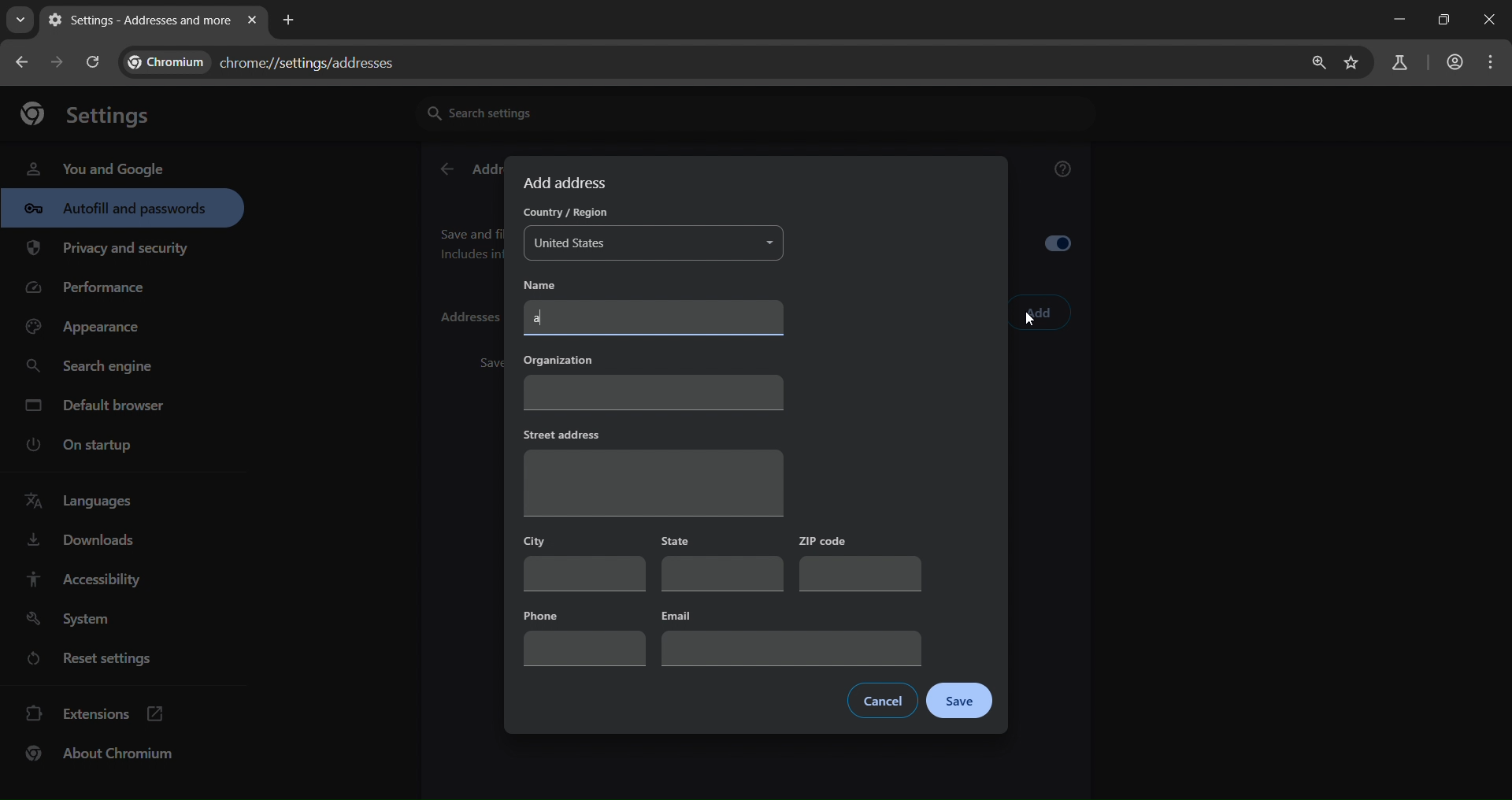  I want to click on street address, so click(652, 470).